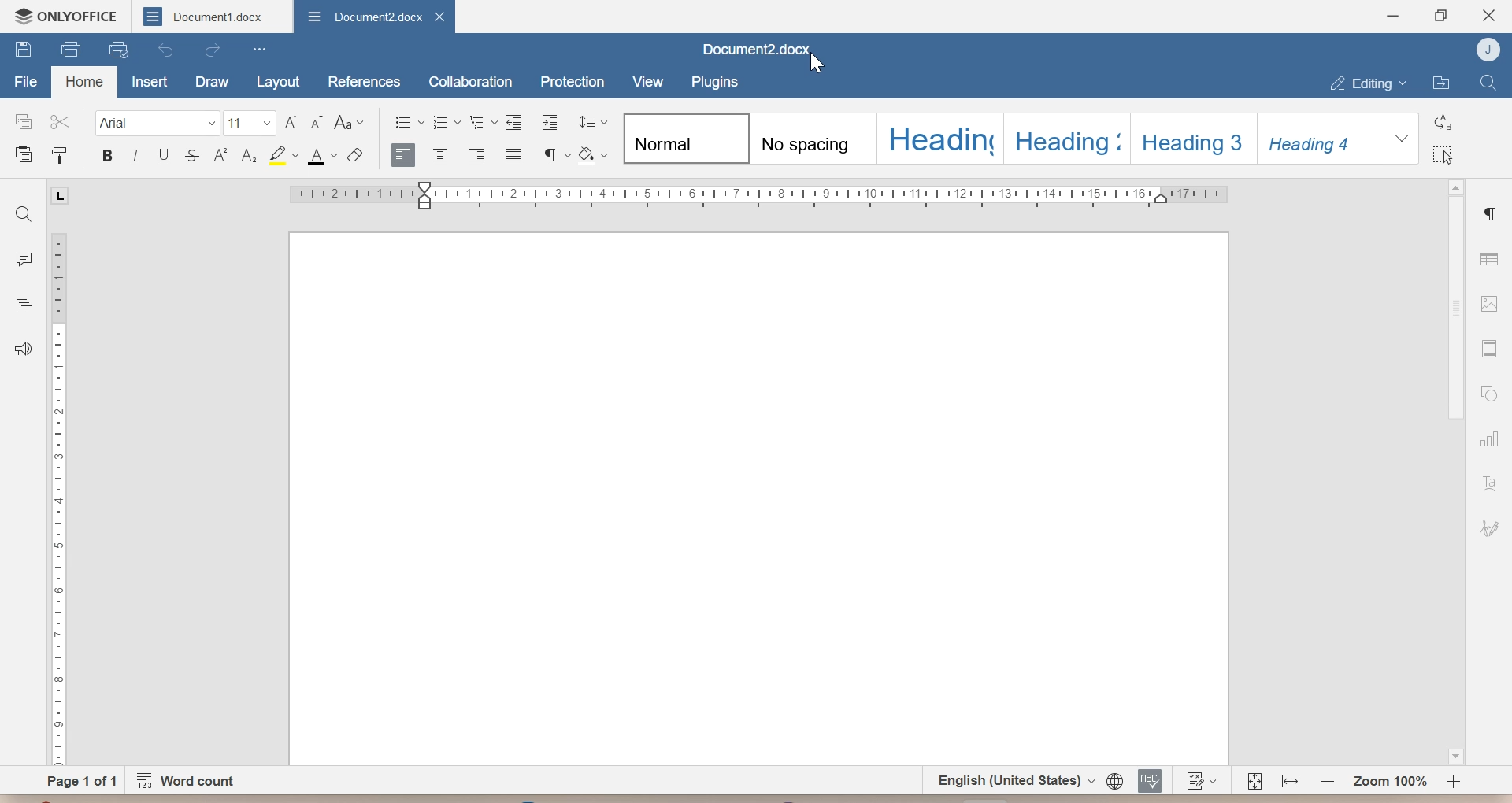 This screenshot has height=803, width=1512. Describe the element at coordinates (1488, 83) in the screenshot. I see `Find` at that location.